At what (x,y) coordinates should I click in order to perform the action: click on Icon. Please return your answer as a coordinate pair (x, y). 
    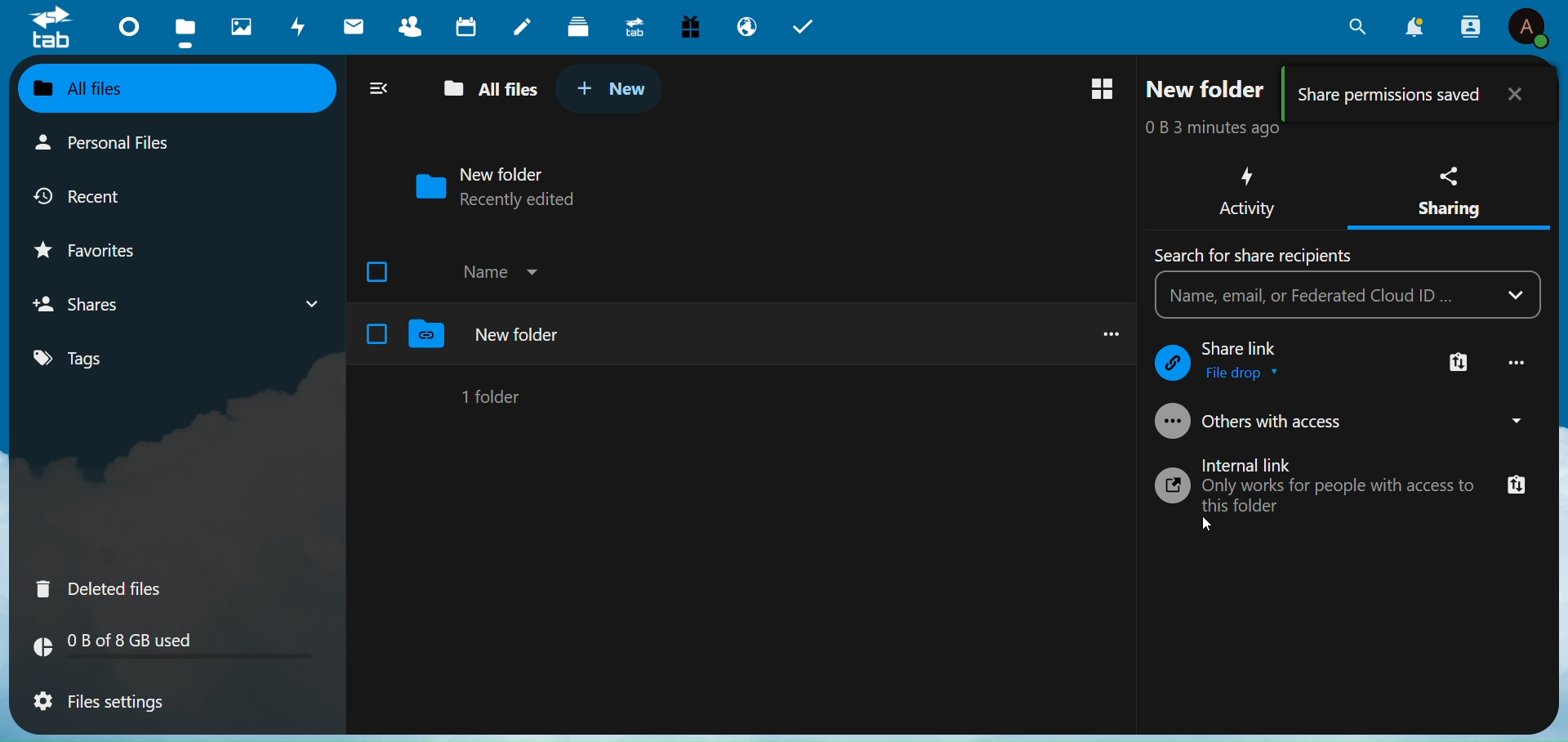
    Looking at the image, I should click on (1174, 488).